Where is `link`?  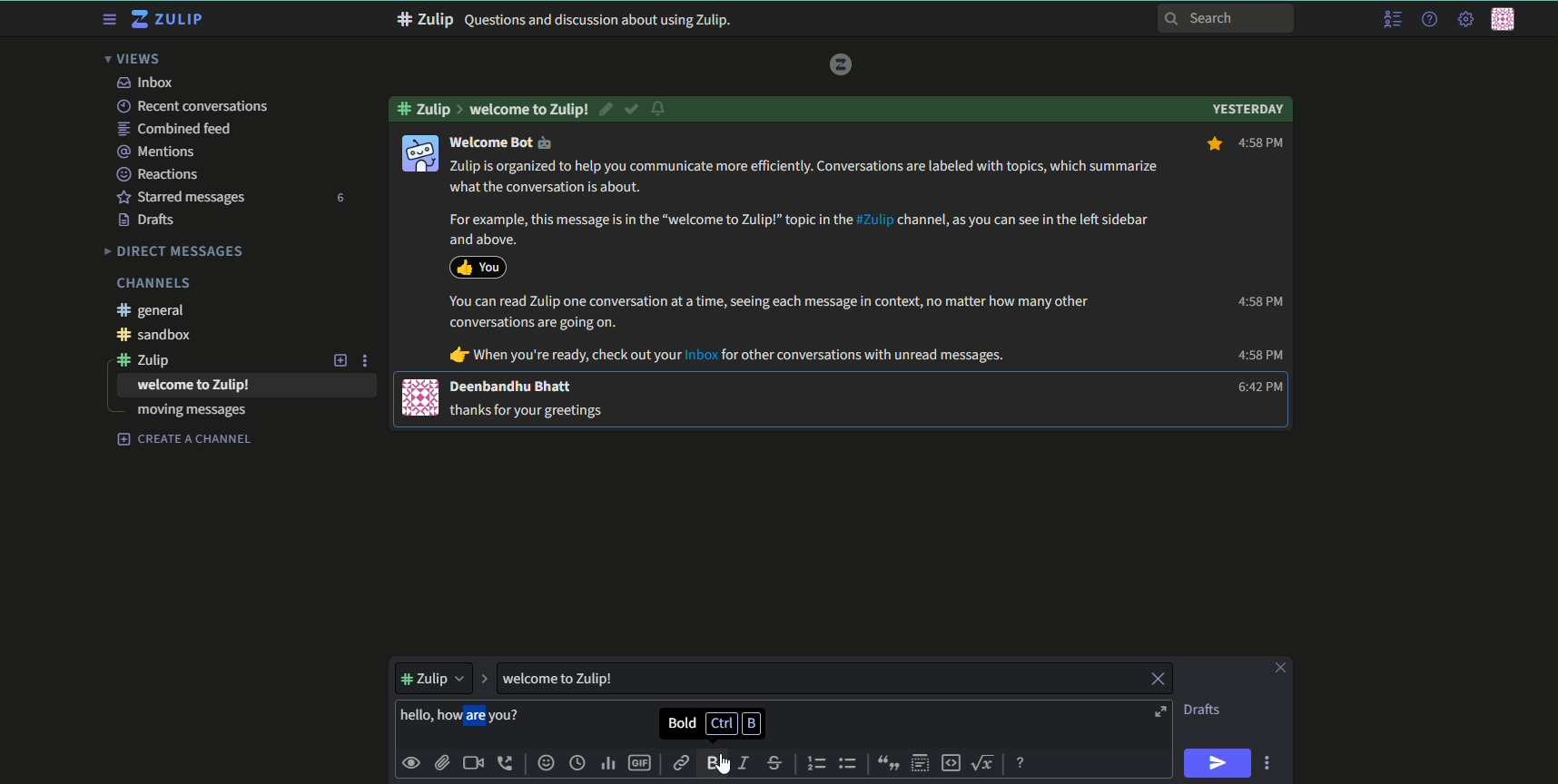 link is located at coordinates (681, 763).